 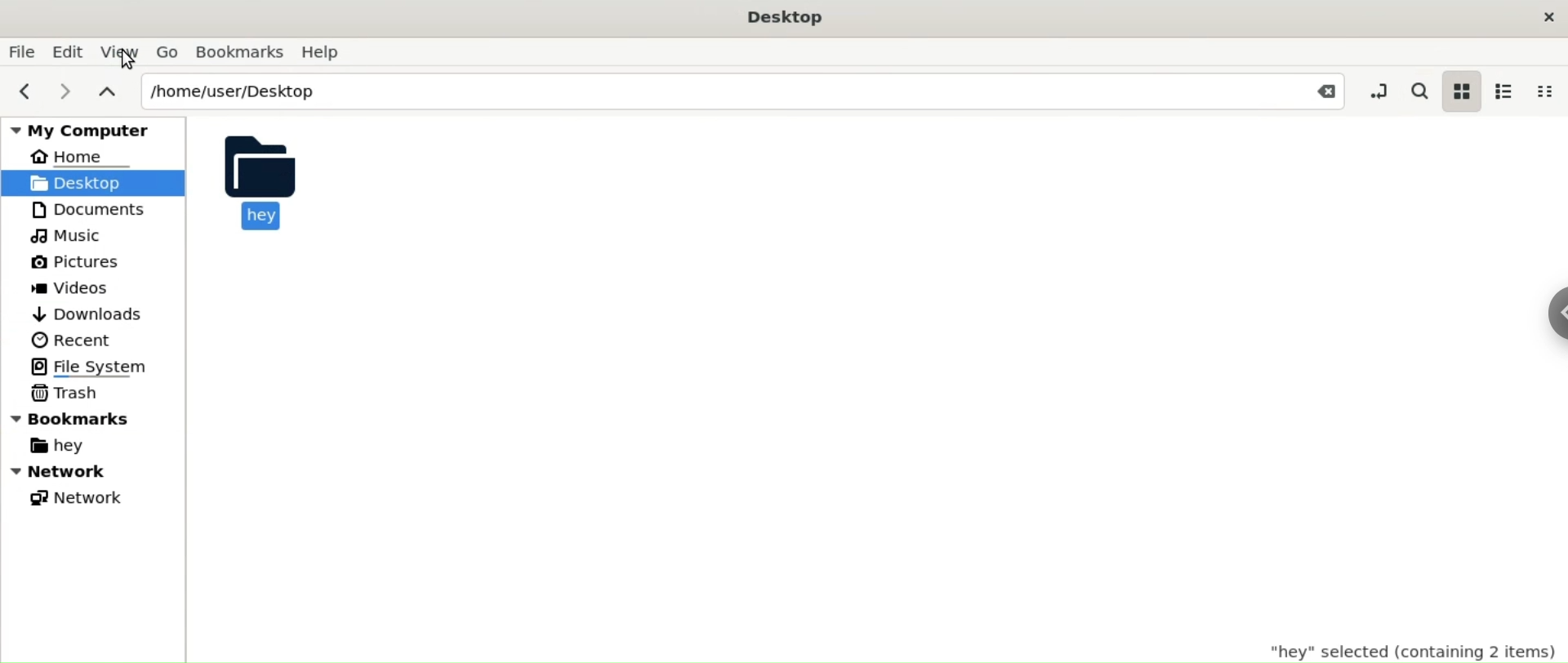 I want to click on Network, so click(x=95, y=471).